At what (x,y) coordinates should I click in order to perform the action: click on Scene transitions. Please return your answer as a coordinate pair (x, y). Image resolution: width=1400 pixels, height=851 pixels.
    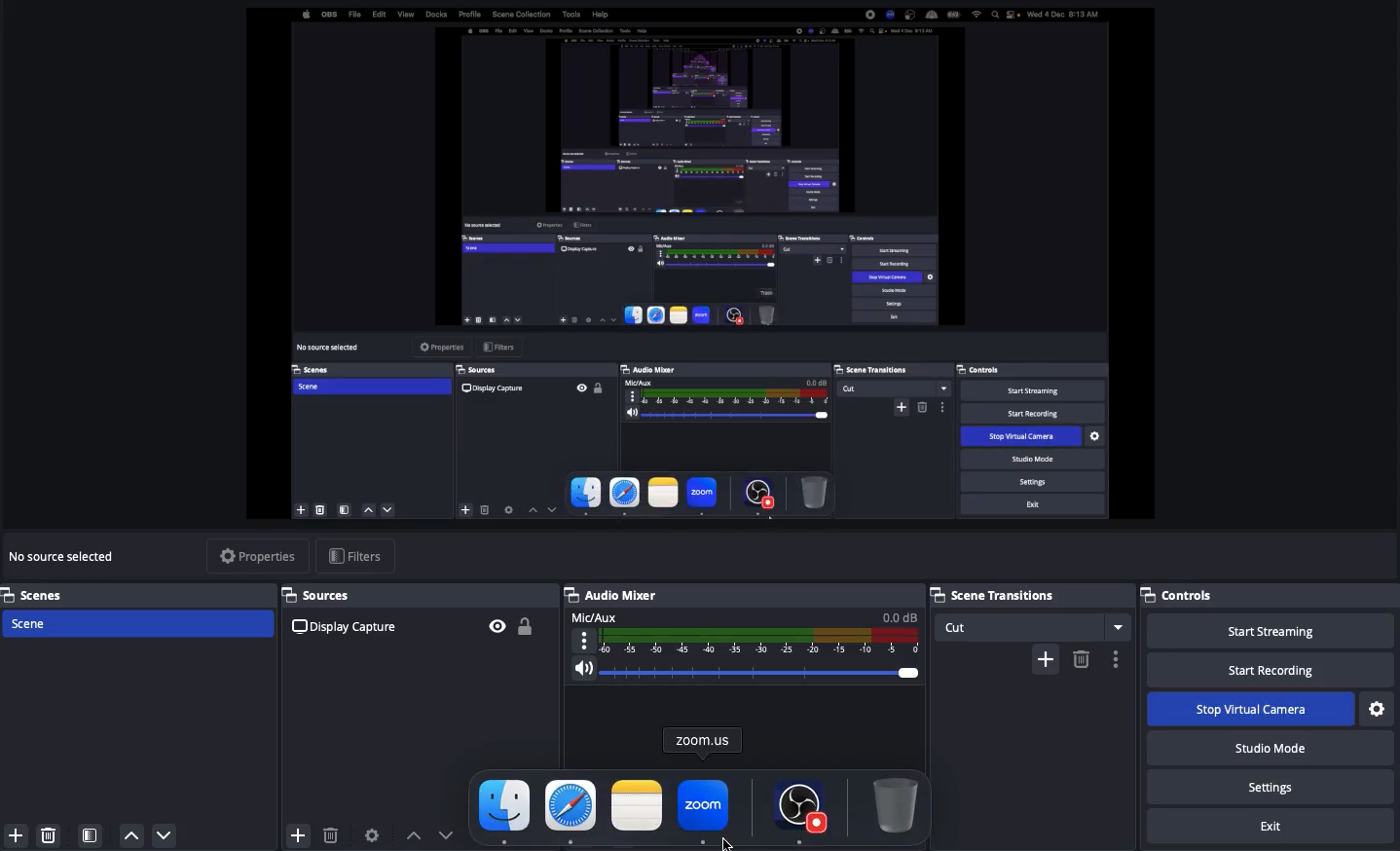
    Looking at the image, I should click on (1031, 593).